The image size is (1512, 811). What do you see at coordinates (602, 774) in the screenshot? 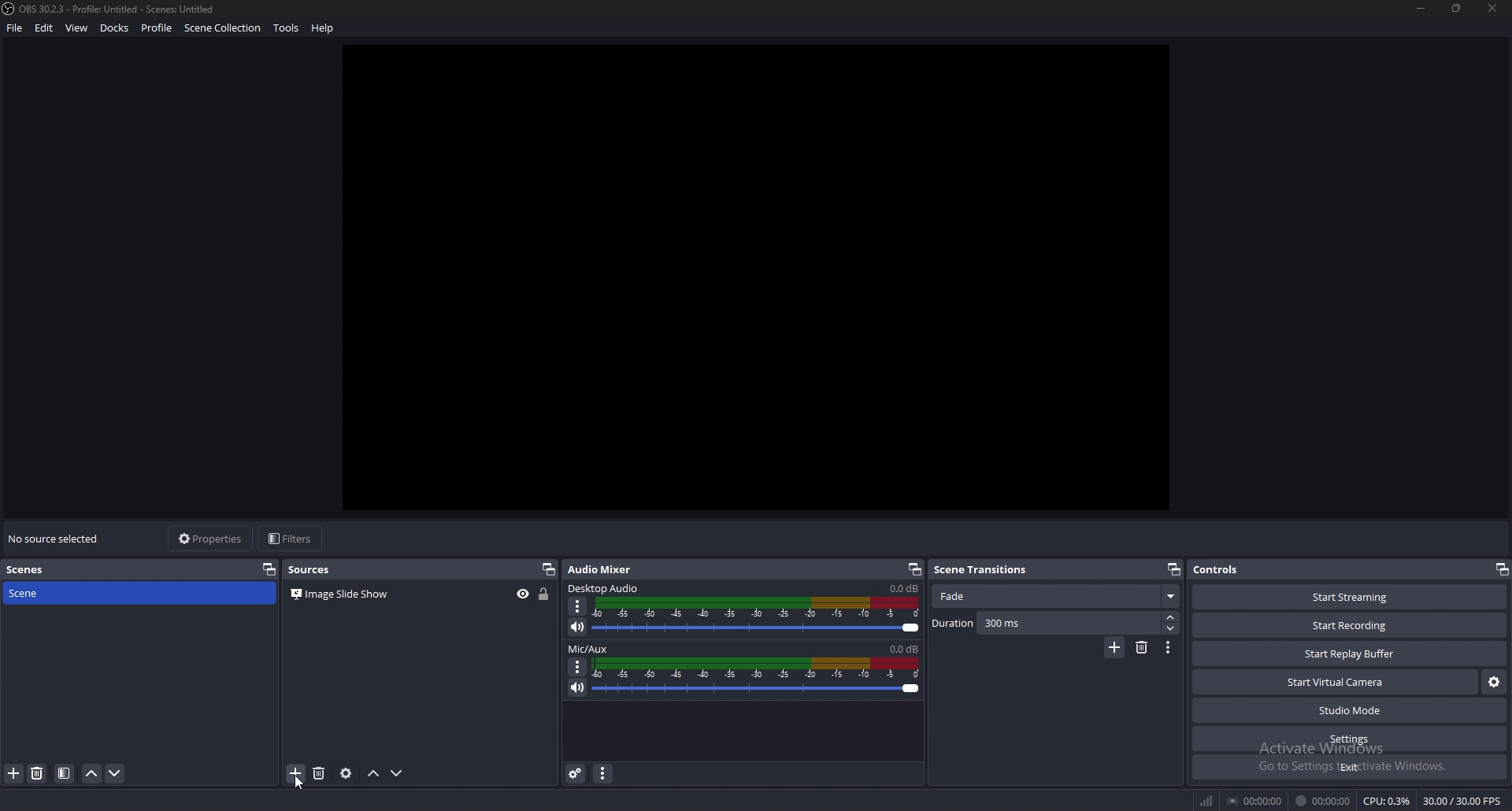
I see `audio mixer menu` at bounding box center [602, 774].